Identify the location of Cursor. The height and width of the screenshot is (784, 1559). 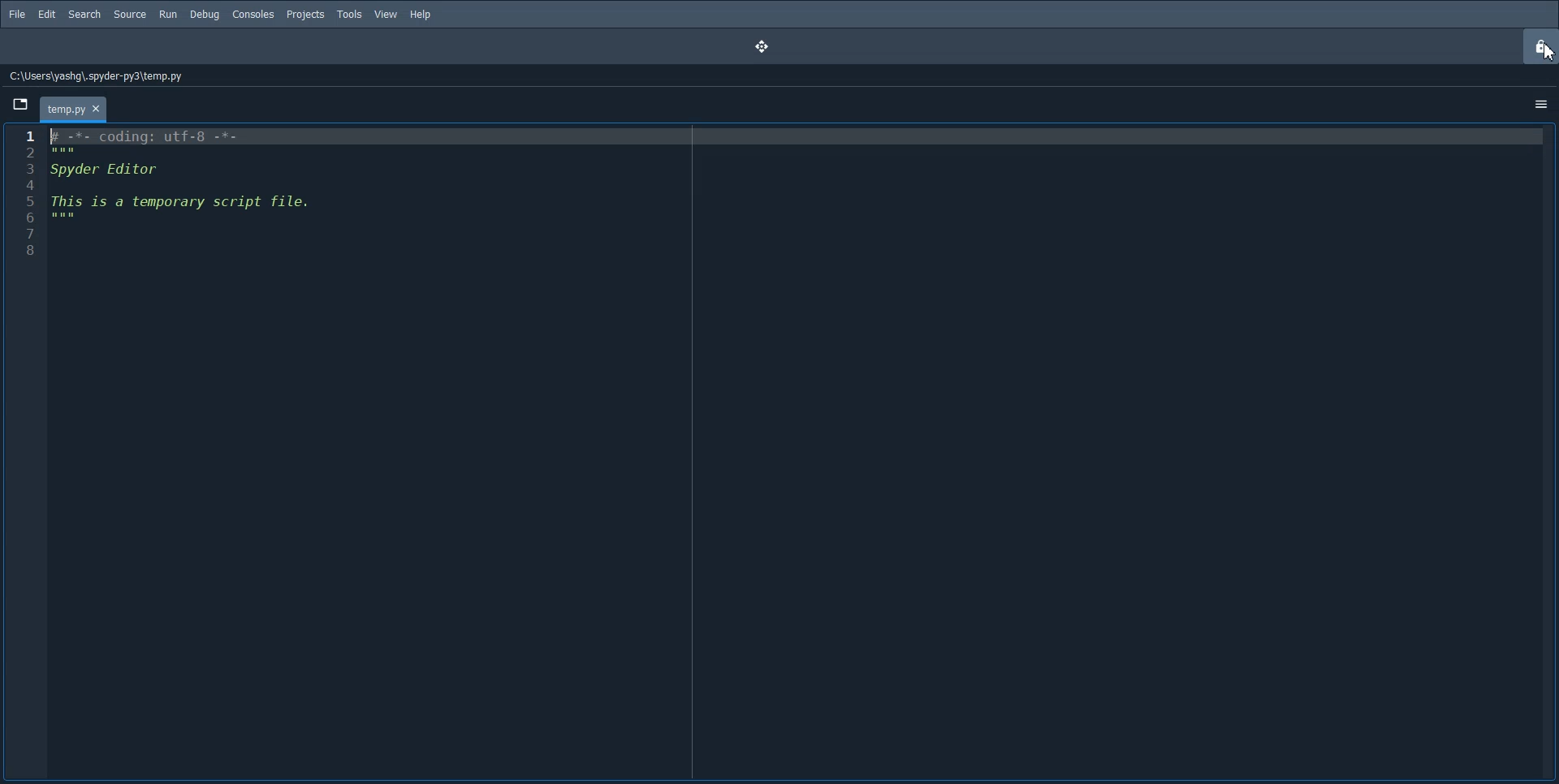
(1548, 54).